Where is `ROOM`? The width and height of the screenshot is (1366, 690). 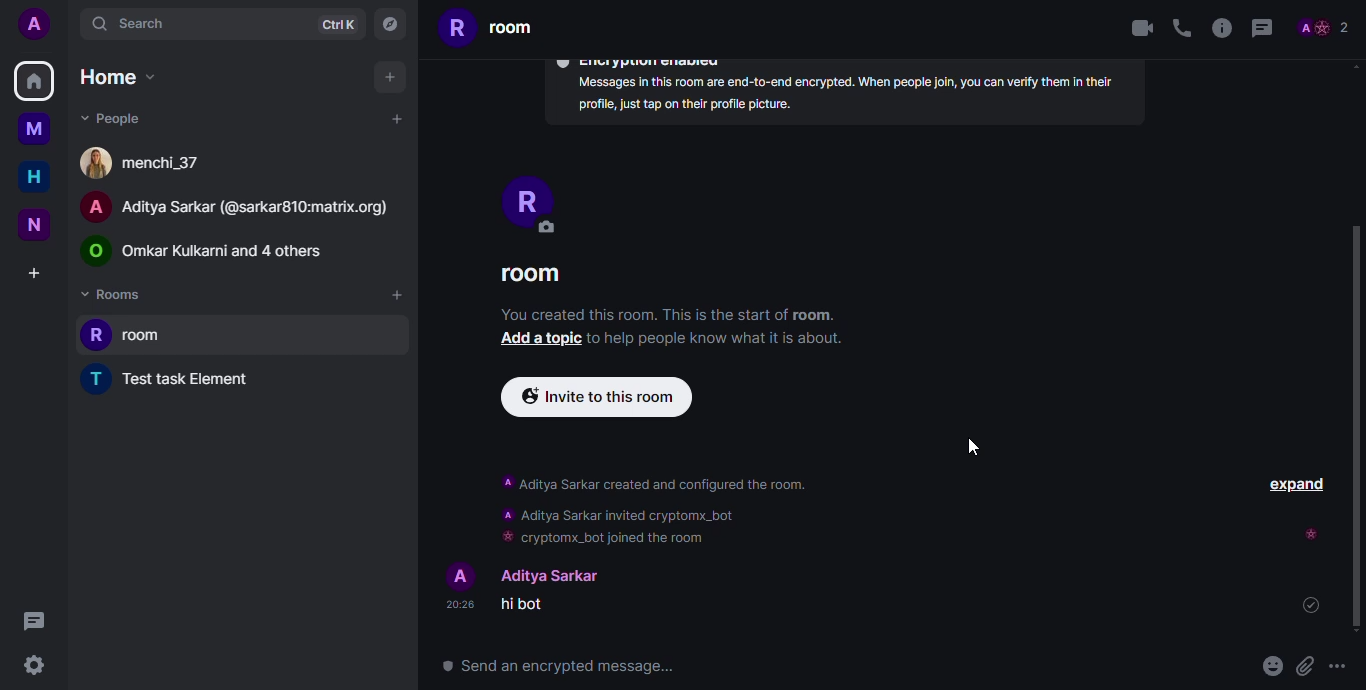 ROOM is located at coordinates (542, 274).